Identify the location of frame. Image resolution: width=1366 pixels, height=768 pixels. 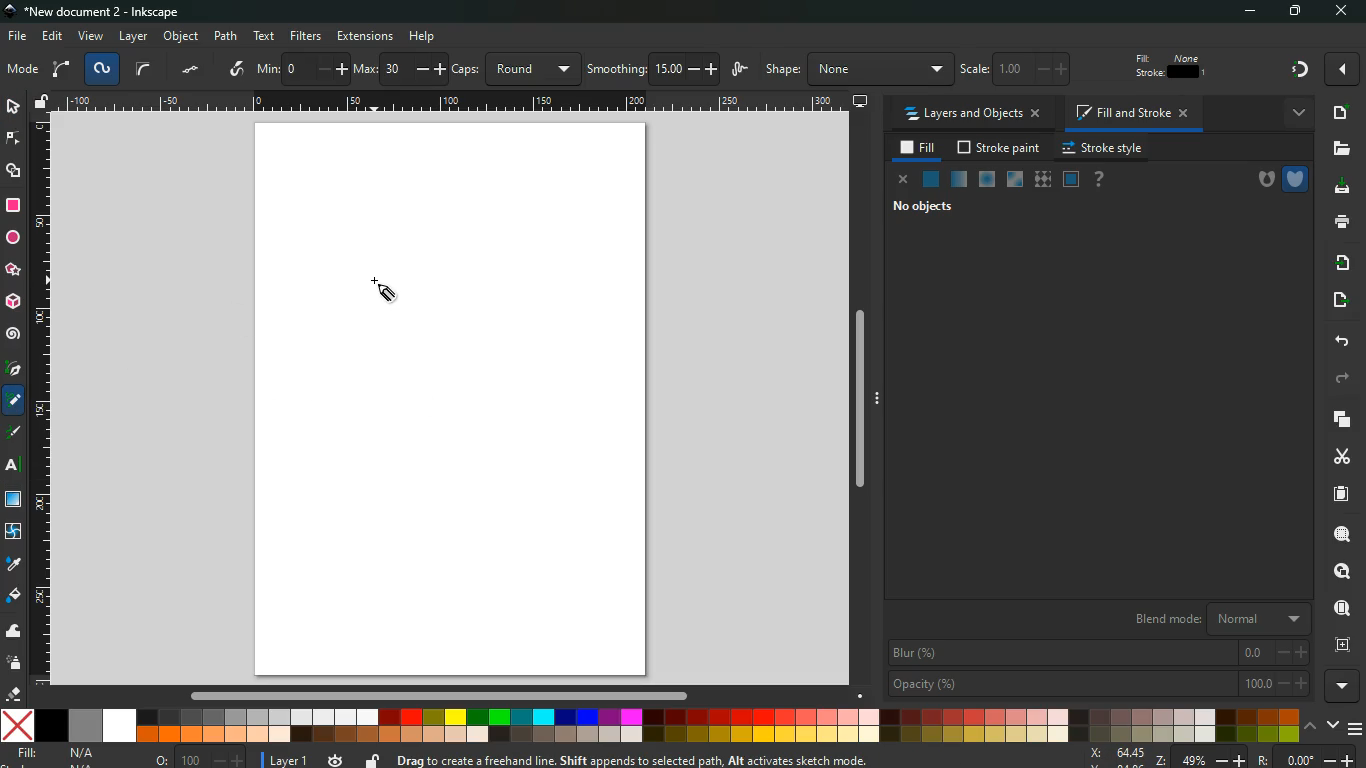
(1071, 179).